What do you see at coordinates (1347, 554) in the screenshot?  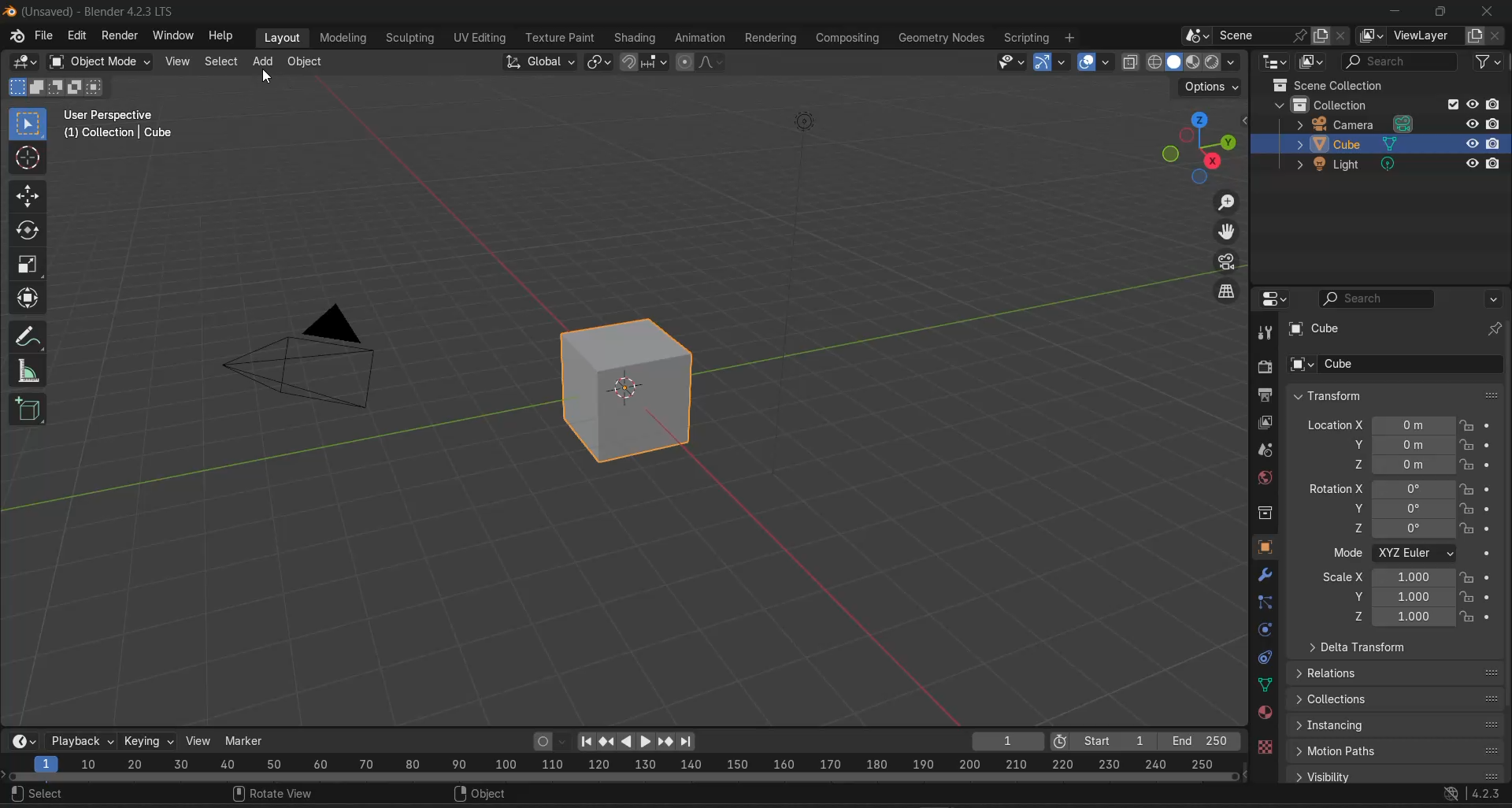 I see `mode` at bounding box center [1347, 554].